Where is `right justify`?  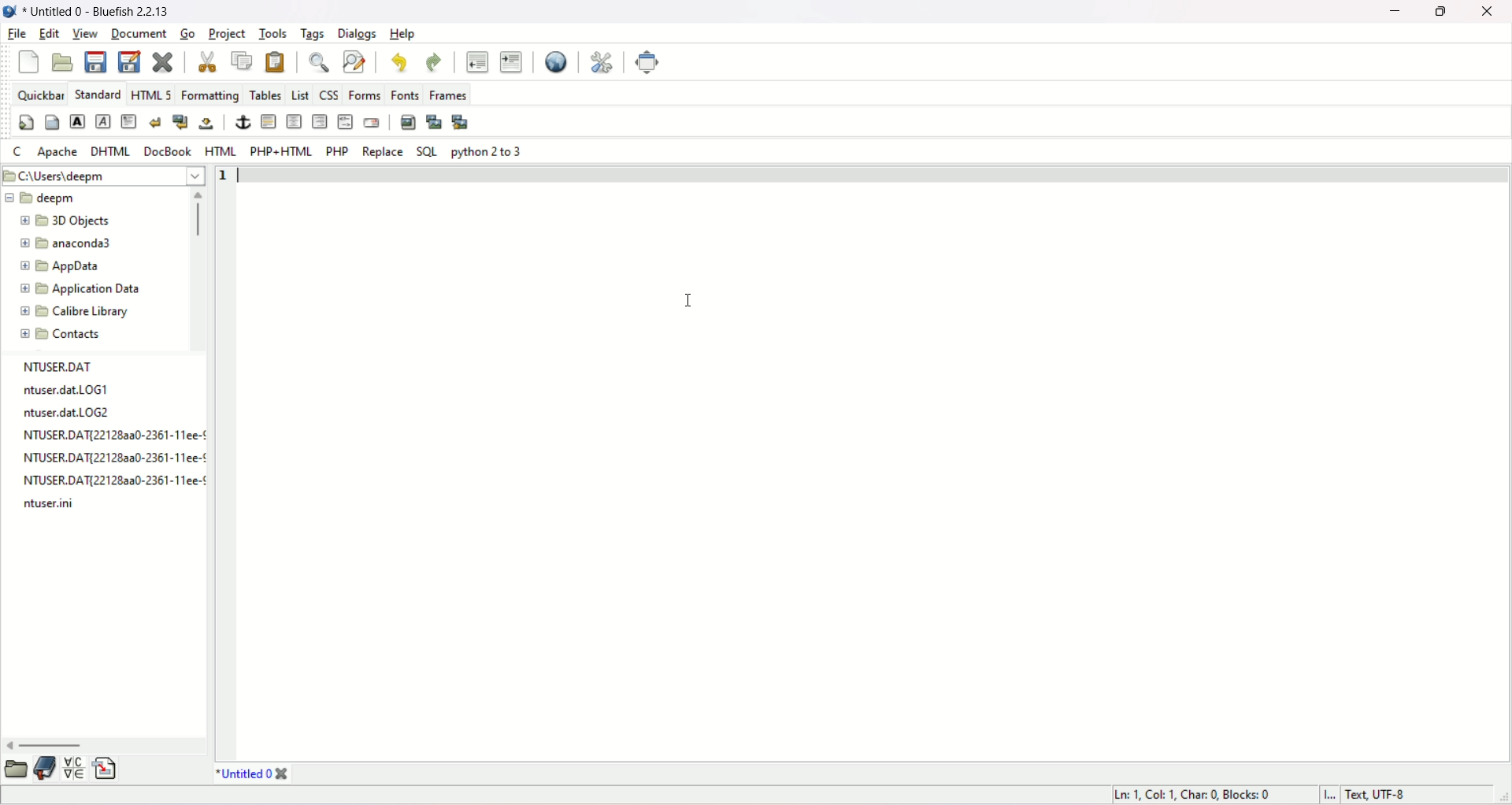
right justify is located at coordinates (318, 121).